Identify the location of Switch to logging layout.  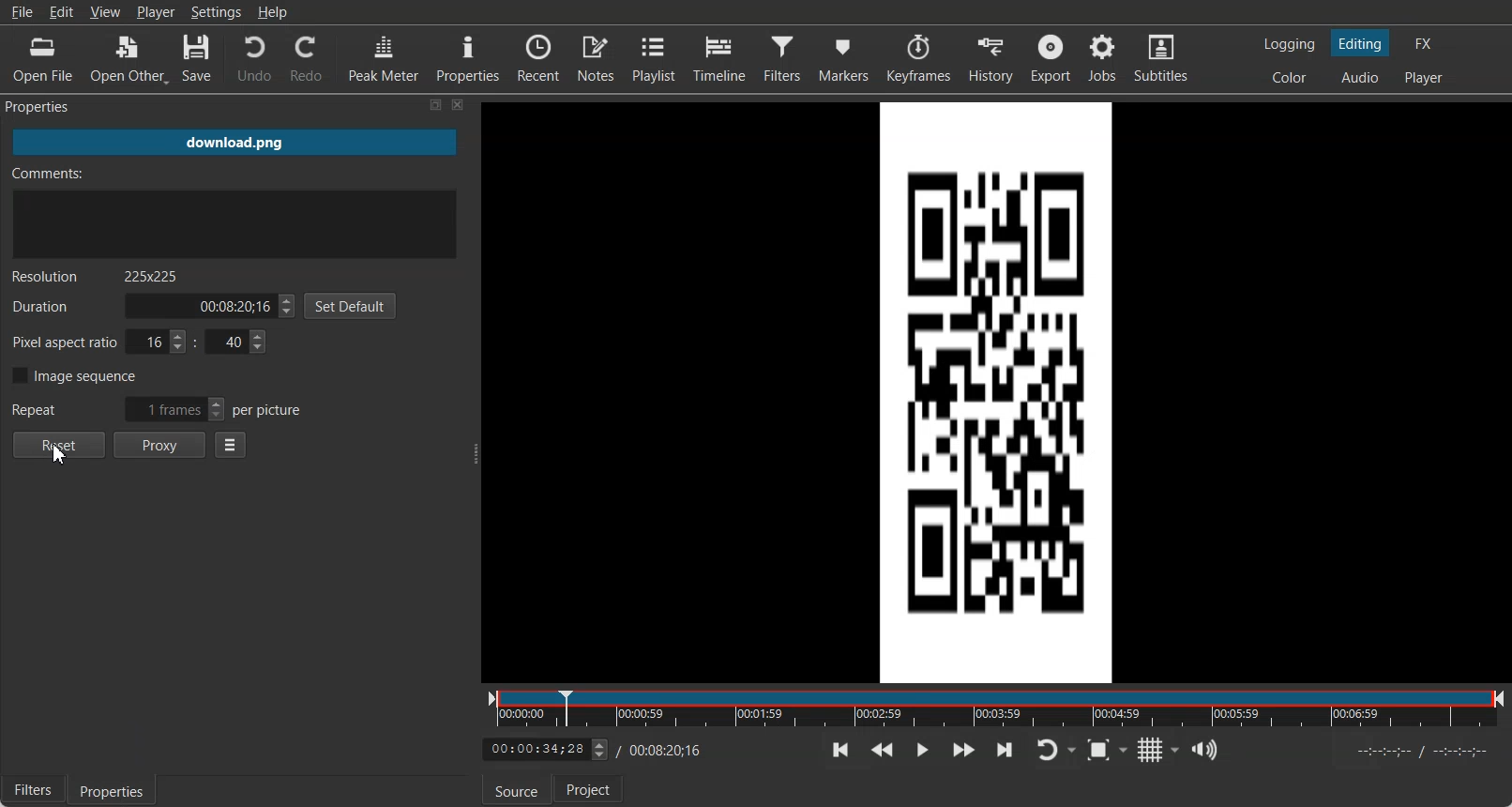
(1291, 43).